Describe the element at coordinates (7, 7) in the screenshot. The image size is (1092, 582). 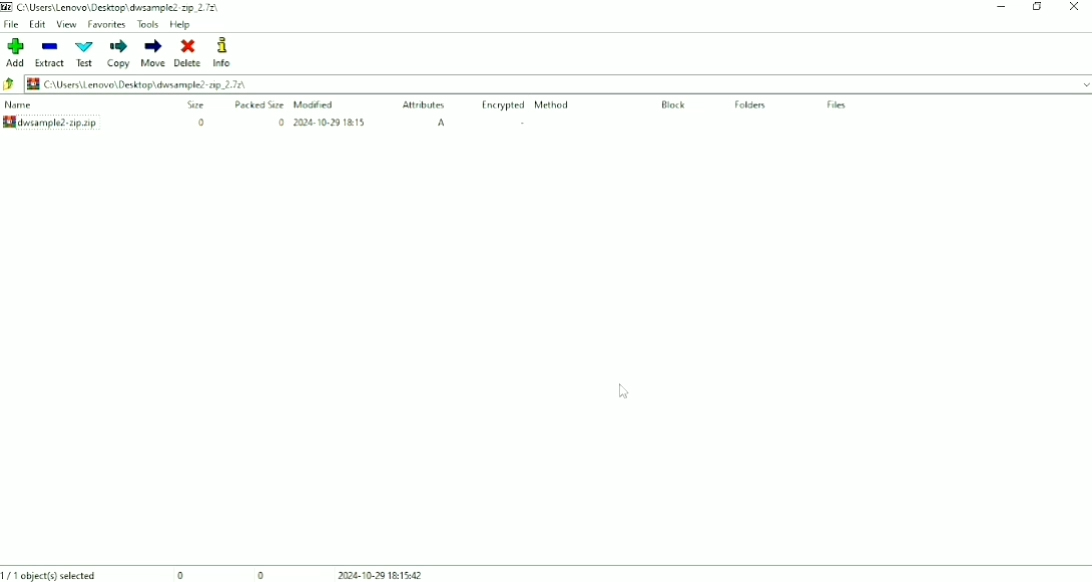
I see `Logo` at that location.